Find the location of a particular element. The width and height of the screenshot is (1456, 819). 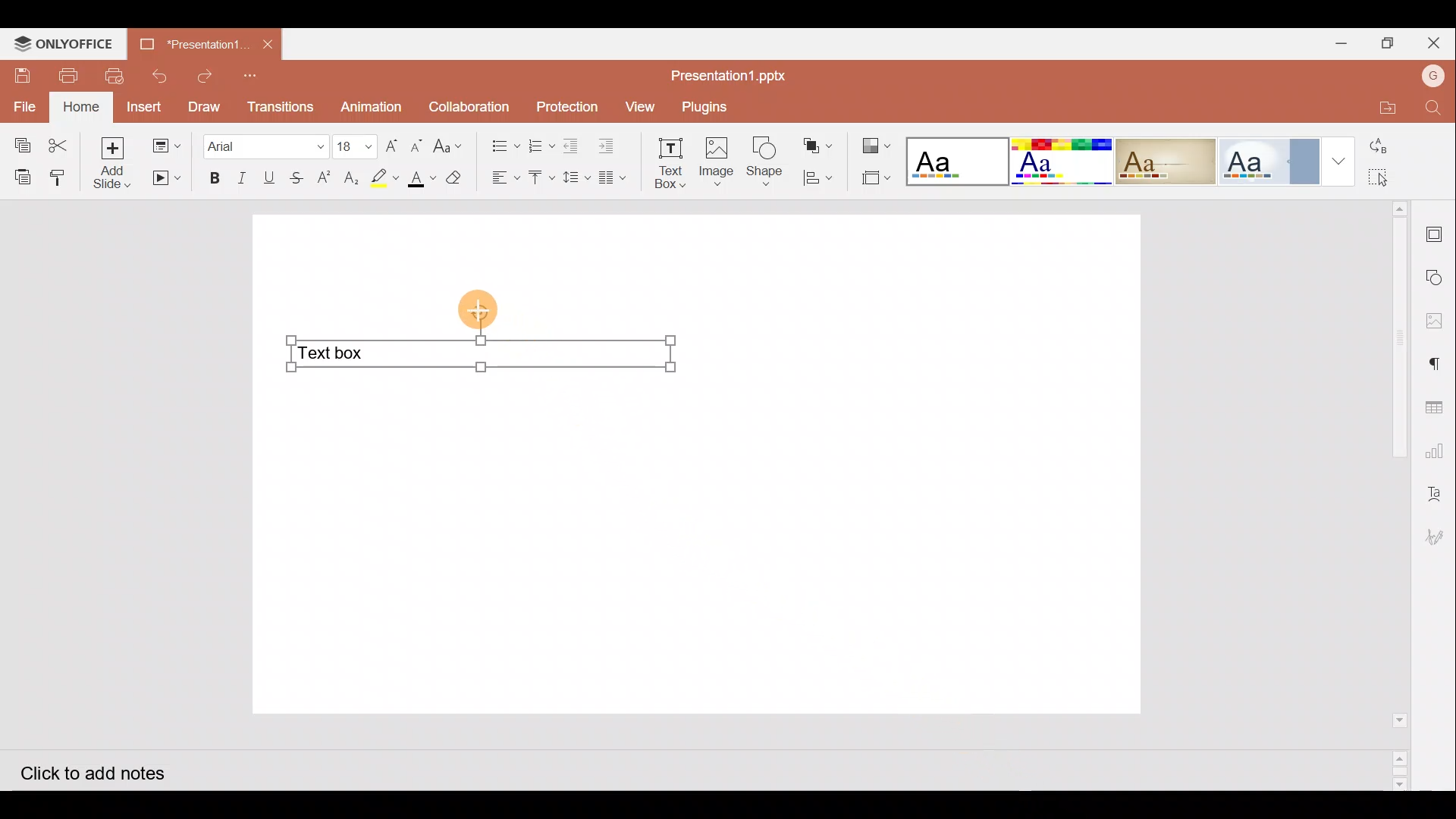

View is located at coordinates (639, 105).